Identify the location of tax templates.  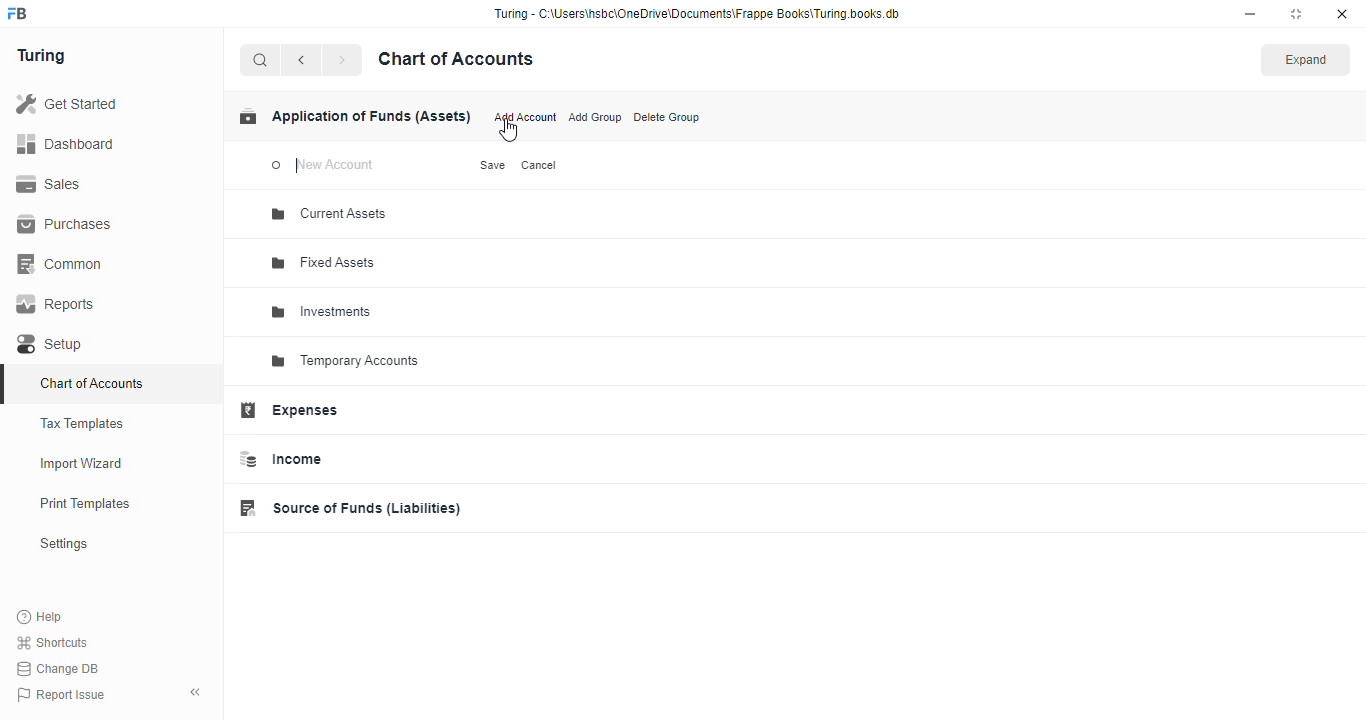
(83, 423).